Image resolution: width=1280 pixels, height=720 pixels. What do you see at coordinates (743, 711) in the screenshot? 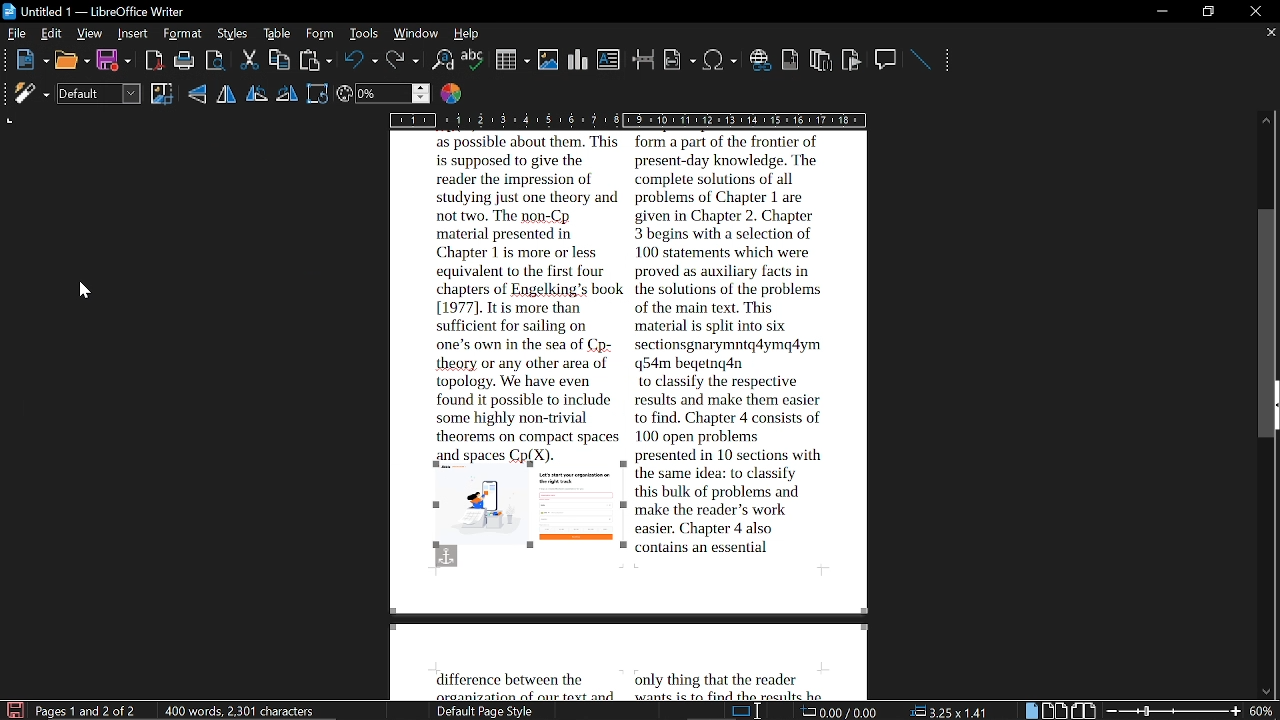
I see `standard selection` at bounding box center [743, 711].